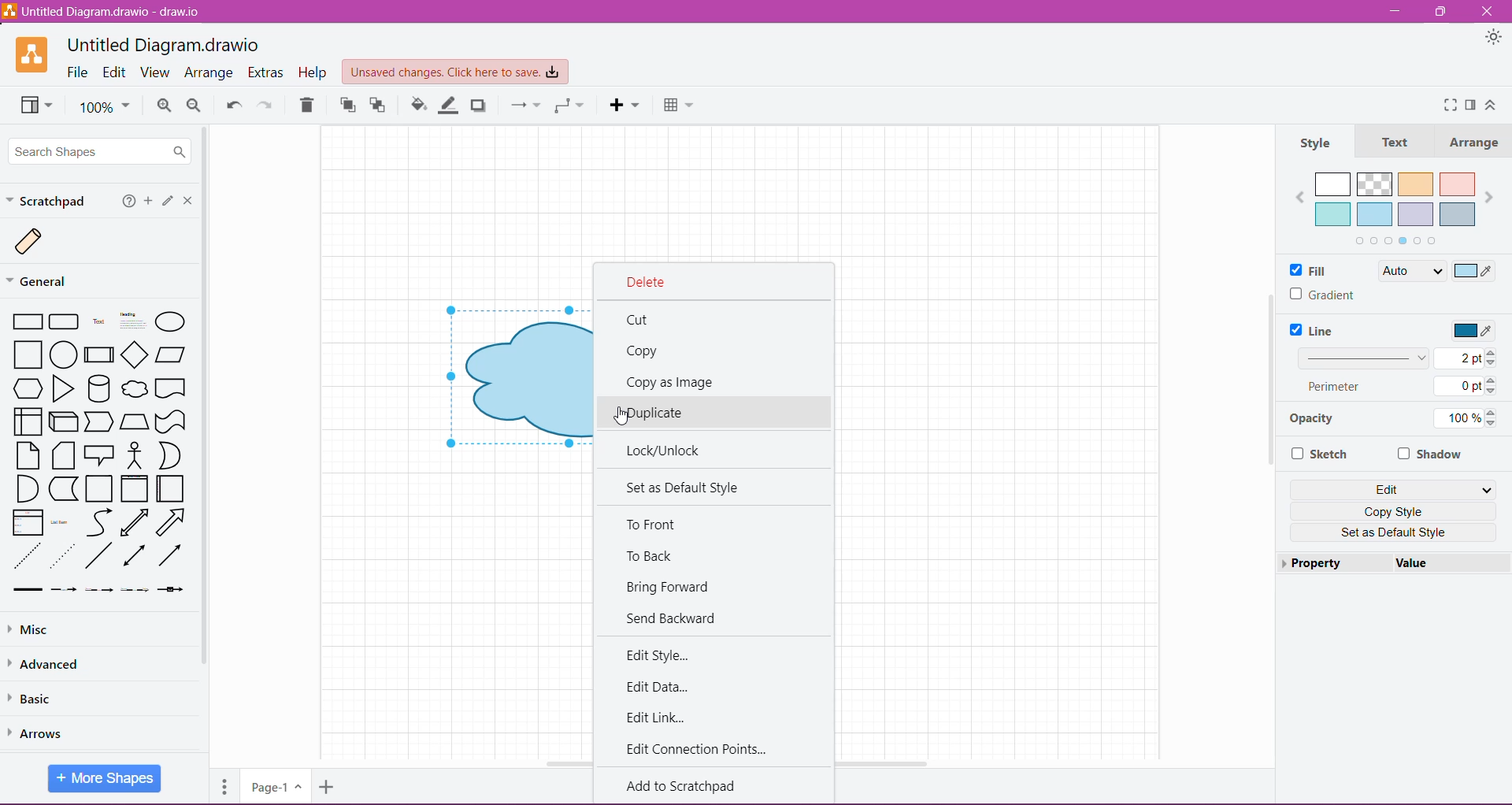 The height and width of the screenshot is (805, 1512). What do you see at coordinates (208, 440) in the screenshot?
I see `Vertical Scroll Bar` at bounding box center [208, 440].